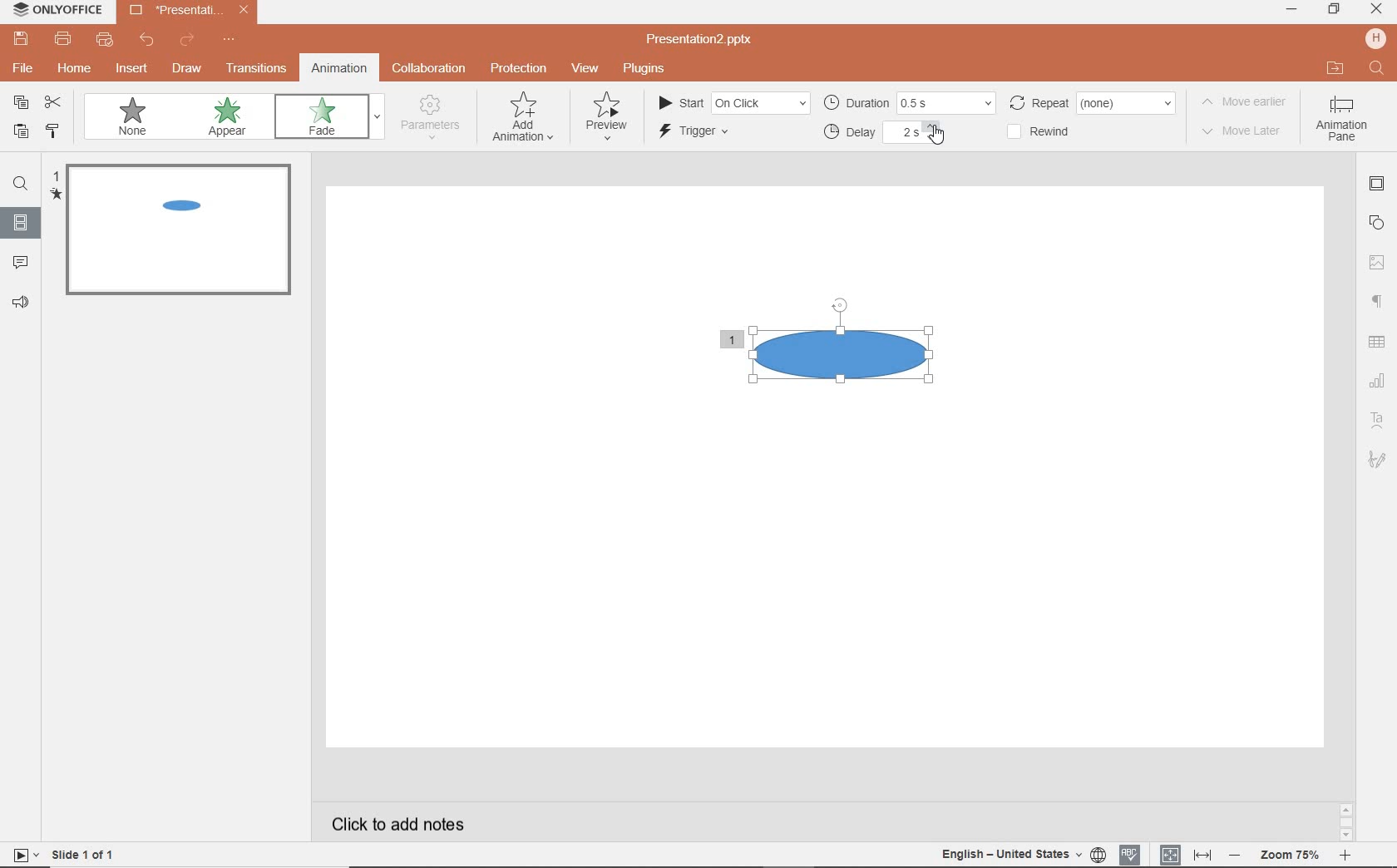 This screenshot has width=1397, height=868. I want to click on rewind, so click(1041, 133).